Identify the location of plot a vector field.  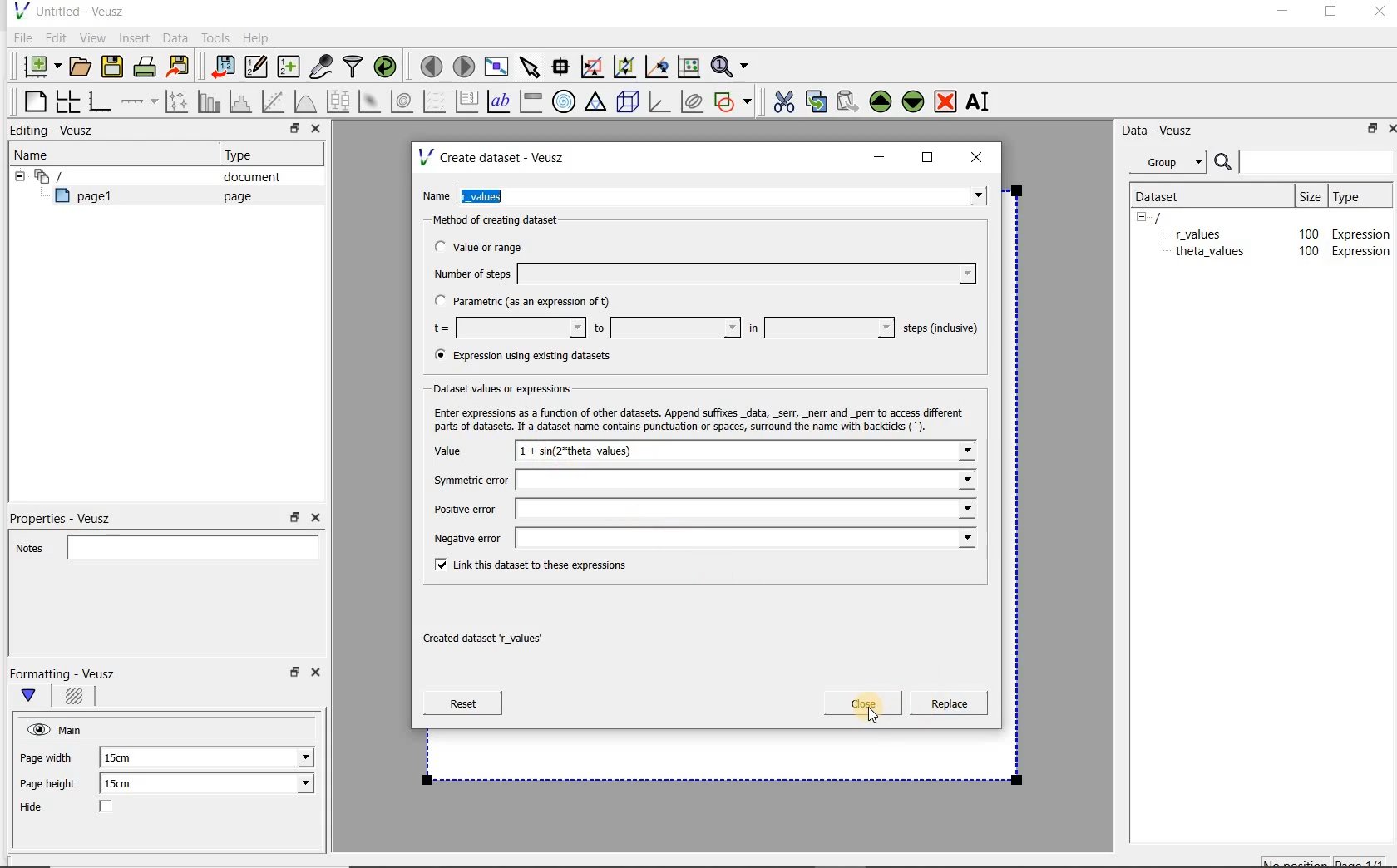
(435, 100).